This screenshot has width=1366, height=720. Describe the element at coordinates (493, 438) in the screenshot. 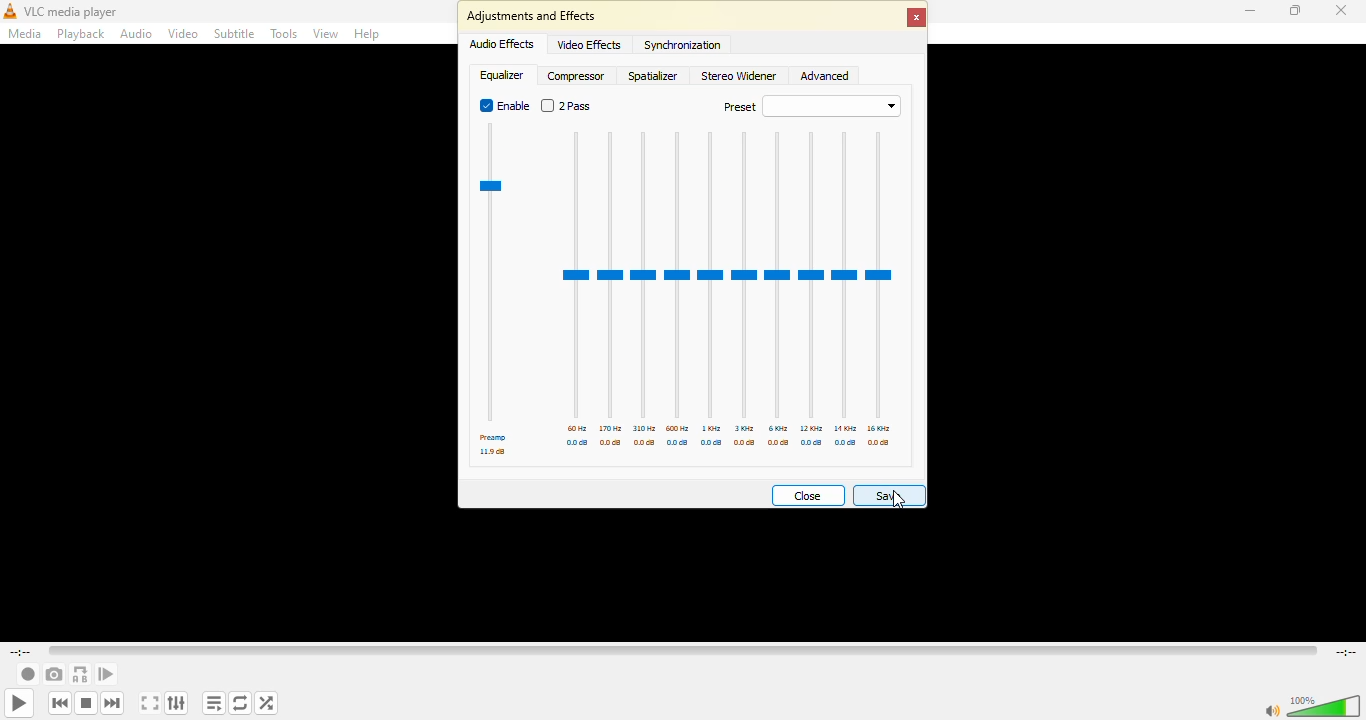

I see `preamp` at that location.